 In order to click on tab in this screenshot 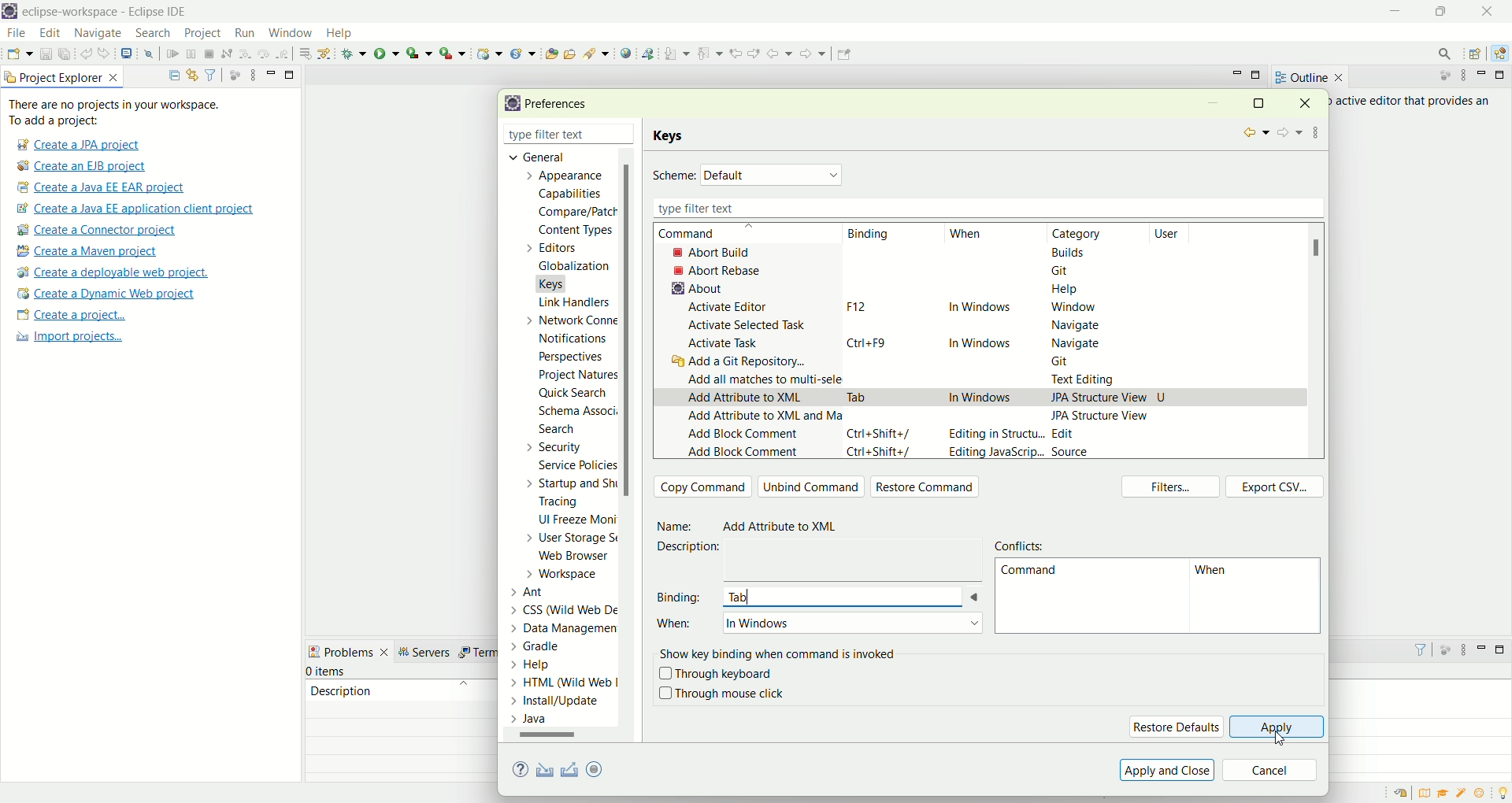, I will do `click(852, 597)`.